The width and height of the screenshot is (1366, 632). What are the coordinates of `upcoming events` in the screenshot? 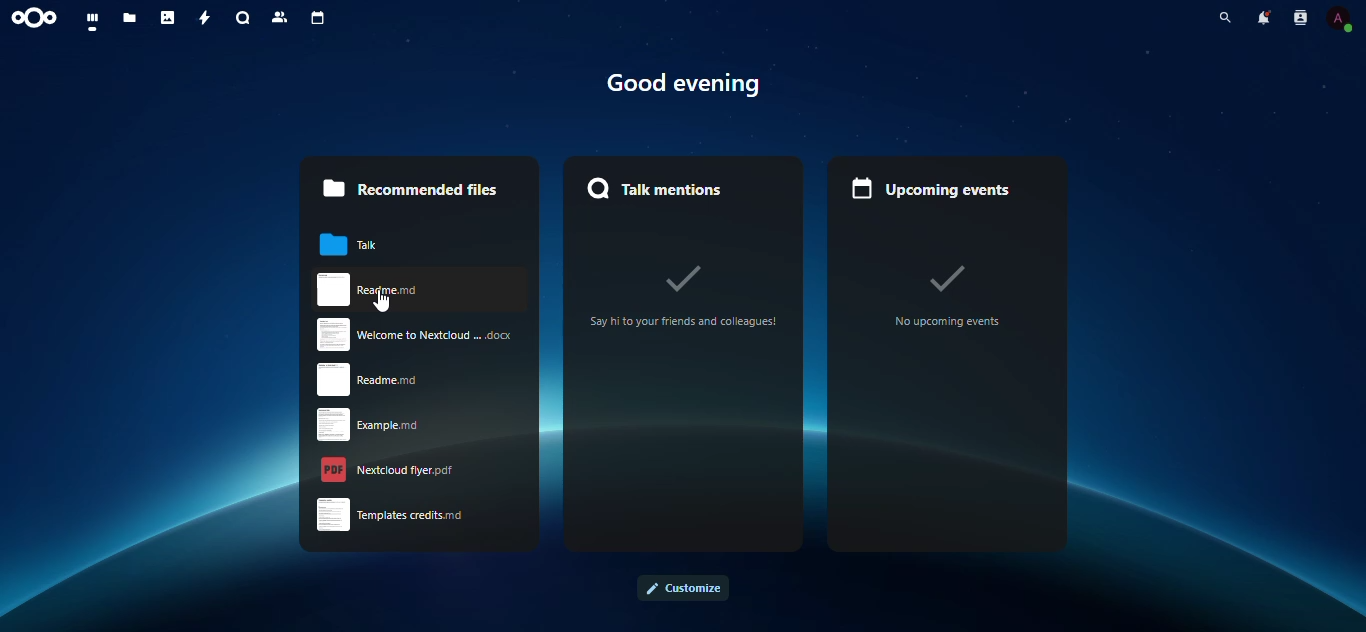 It's located at (932, 190).